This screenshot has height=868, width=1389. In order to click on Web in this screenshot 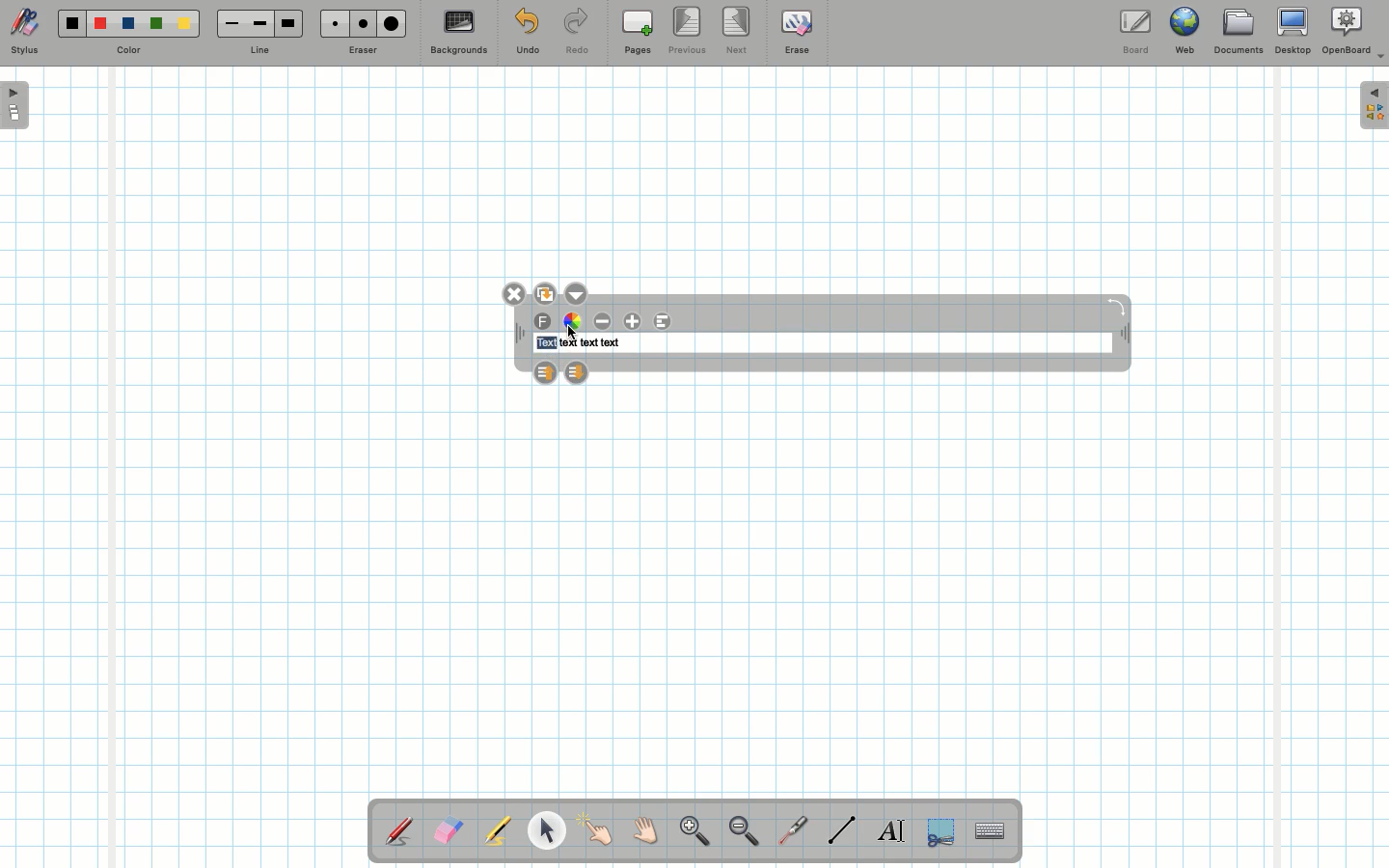, I will do `click(1184, 35)`.